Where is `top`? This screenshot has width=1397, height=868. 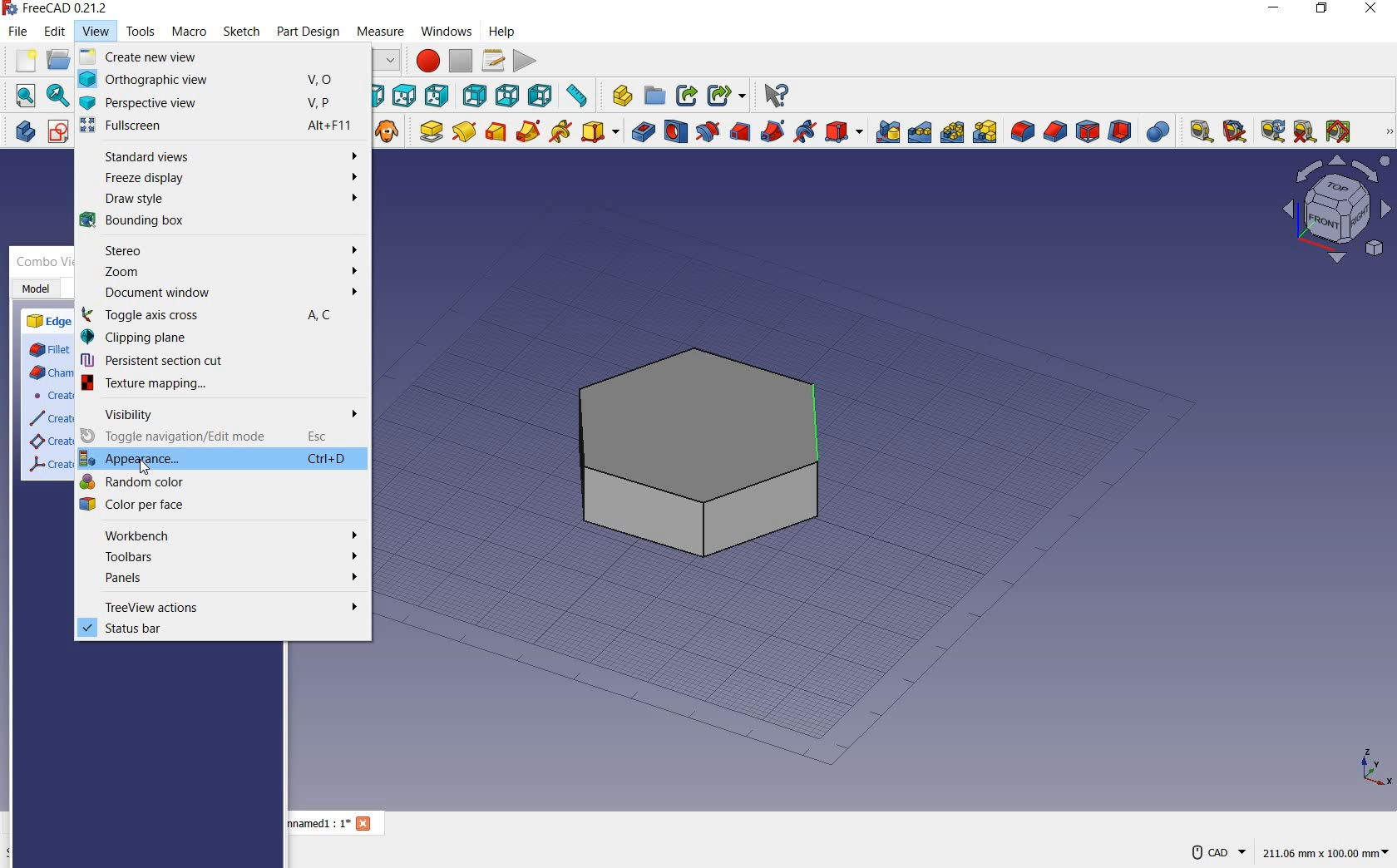 top is located at coordinates (402, 94).